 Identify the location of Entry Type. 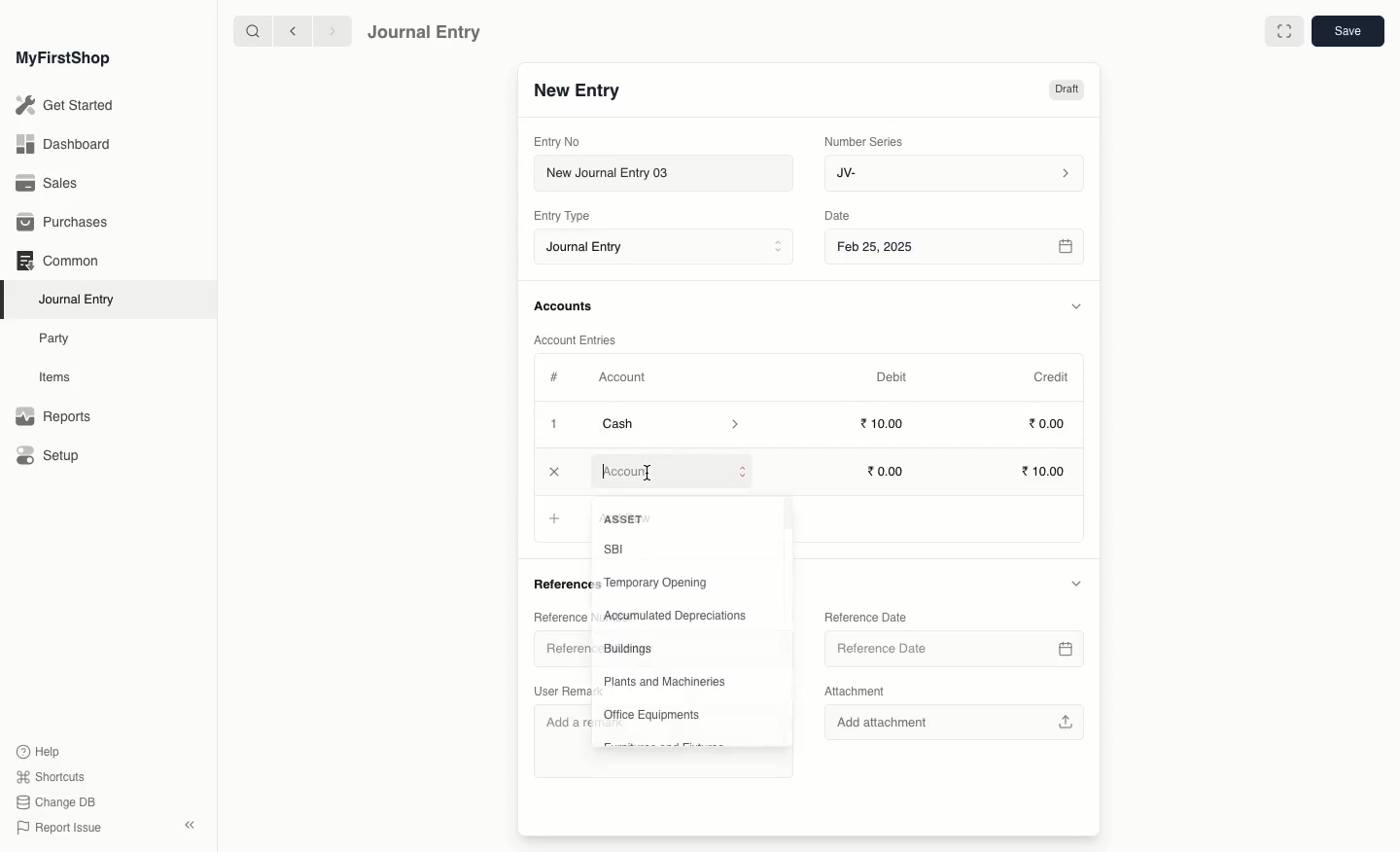
(568, 216).